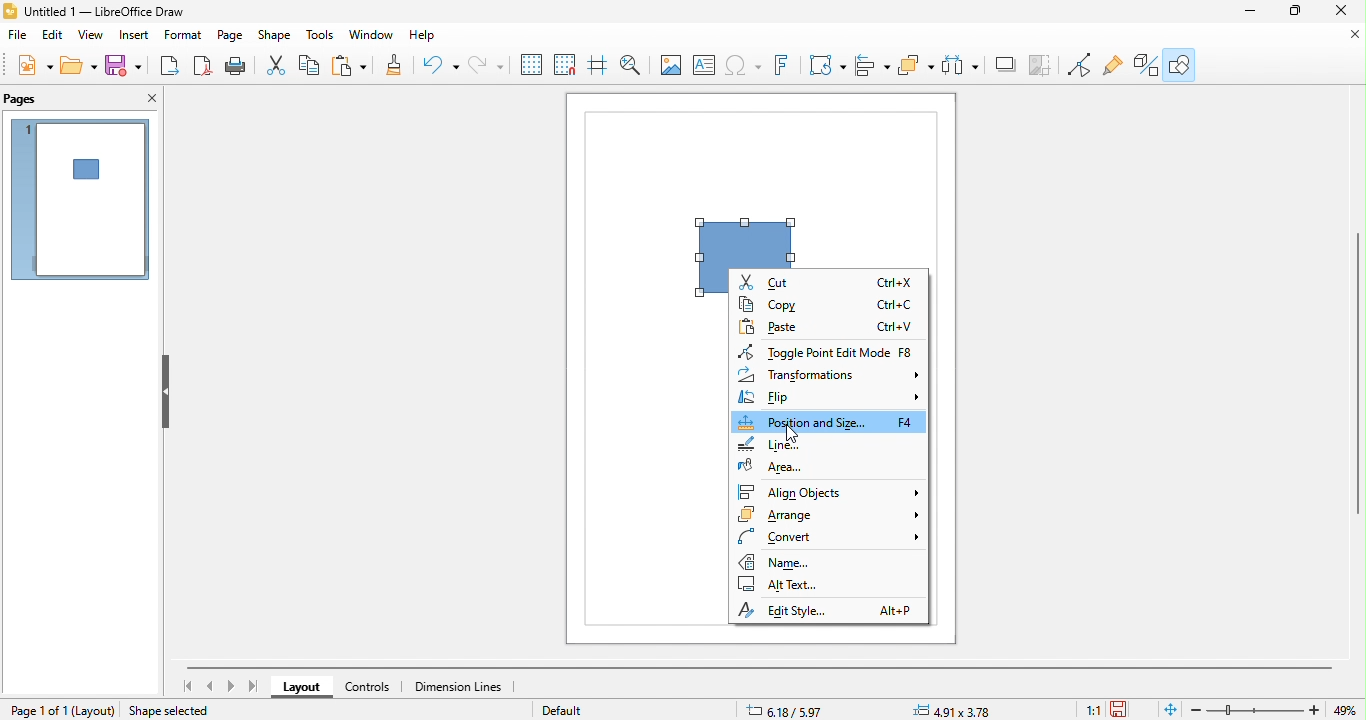 Image resolution: width=1366 pixels, height=720 pixels. I want to click on paste, so click(774, 328).